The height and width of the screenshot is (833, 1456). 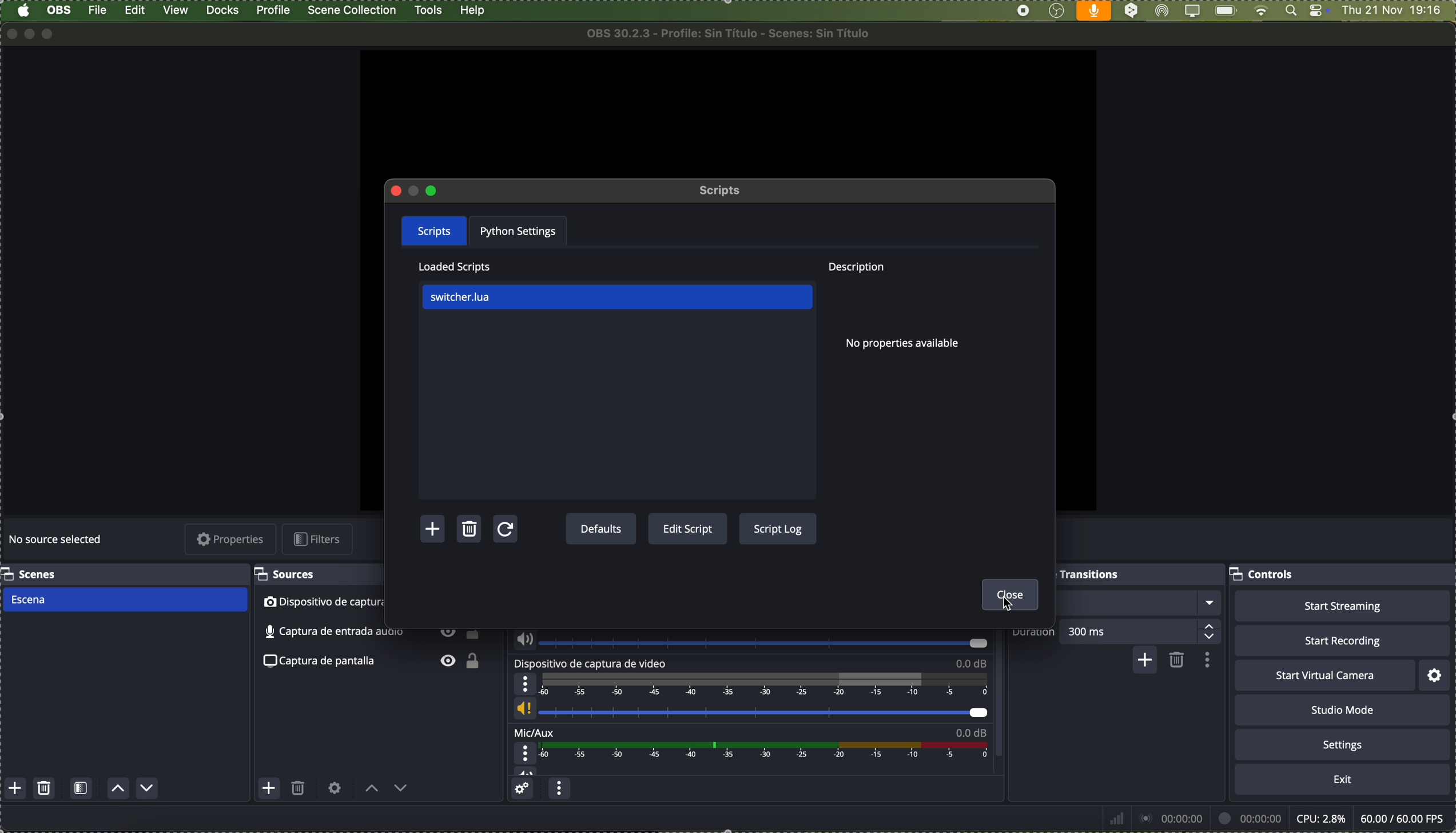 What do you see at coordinates (1436, 675) in the screenshot?
I see `settings` at bounding box center [1436, 675].